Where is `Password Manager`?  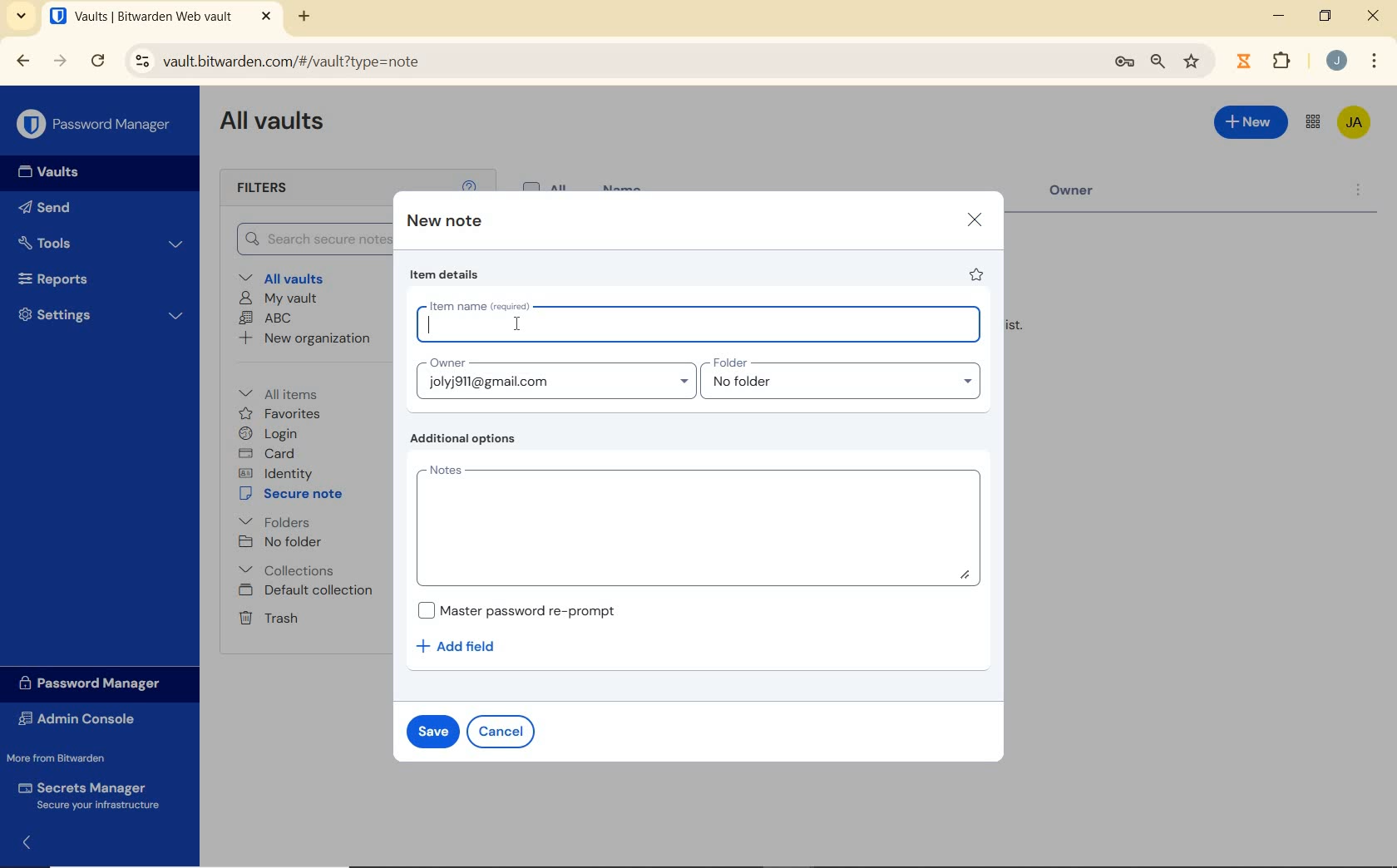
Password Manager is located at coordinates (95, 125).